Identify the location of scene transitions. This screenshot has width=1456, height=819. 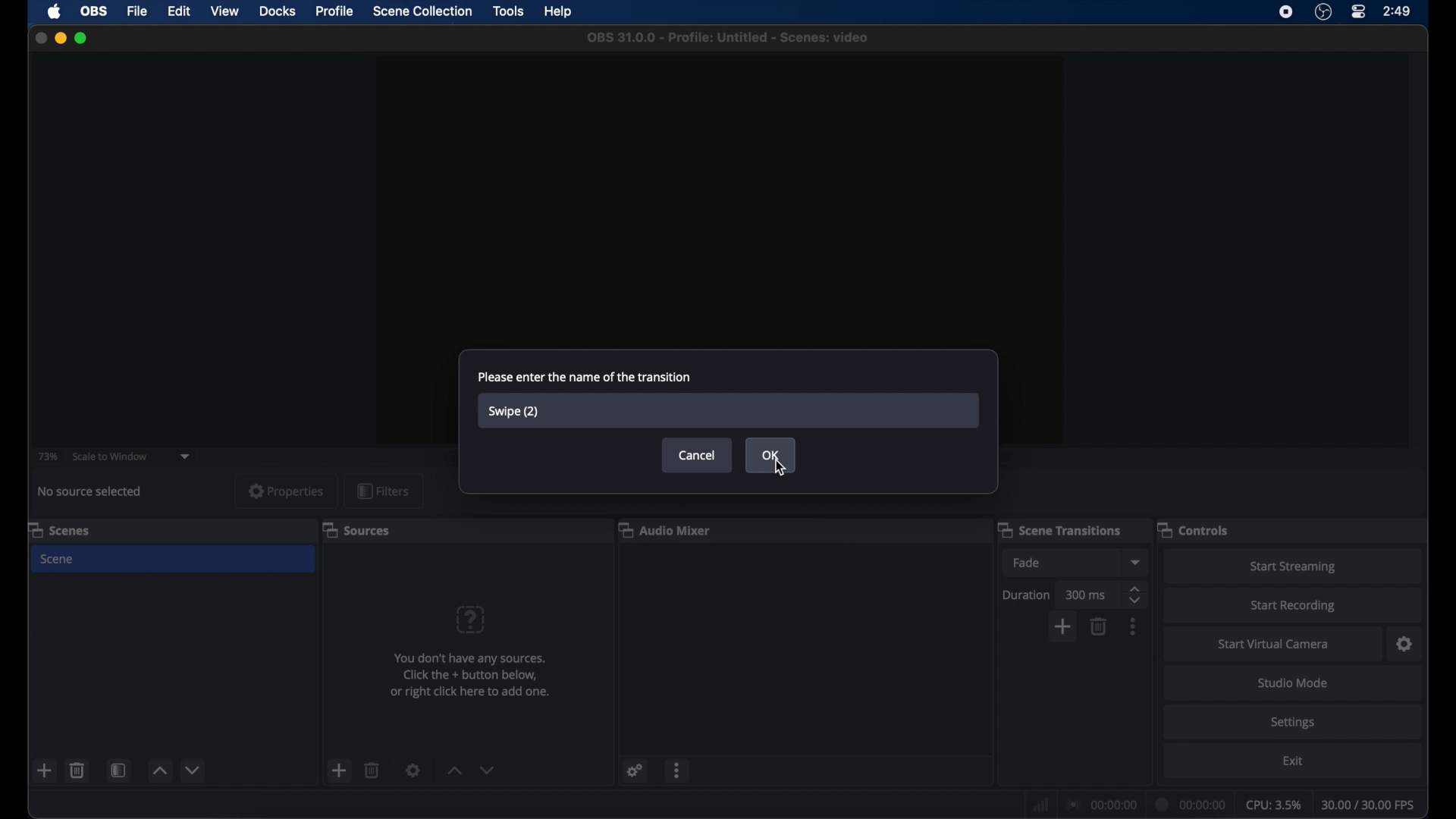
(1060, 529).